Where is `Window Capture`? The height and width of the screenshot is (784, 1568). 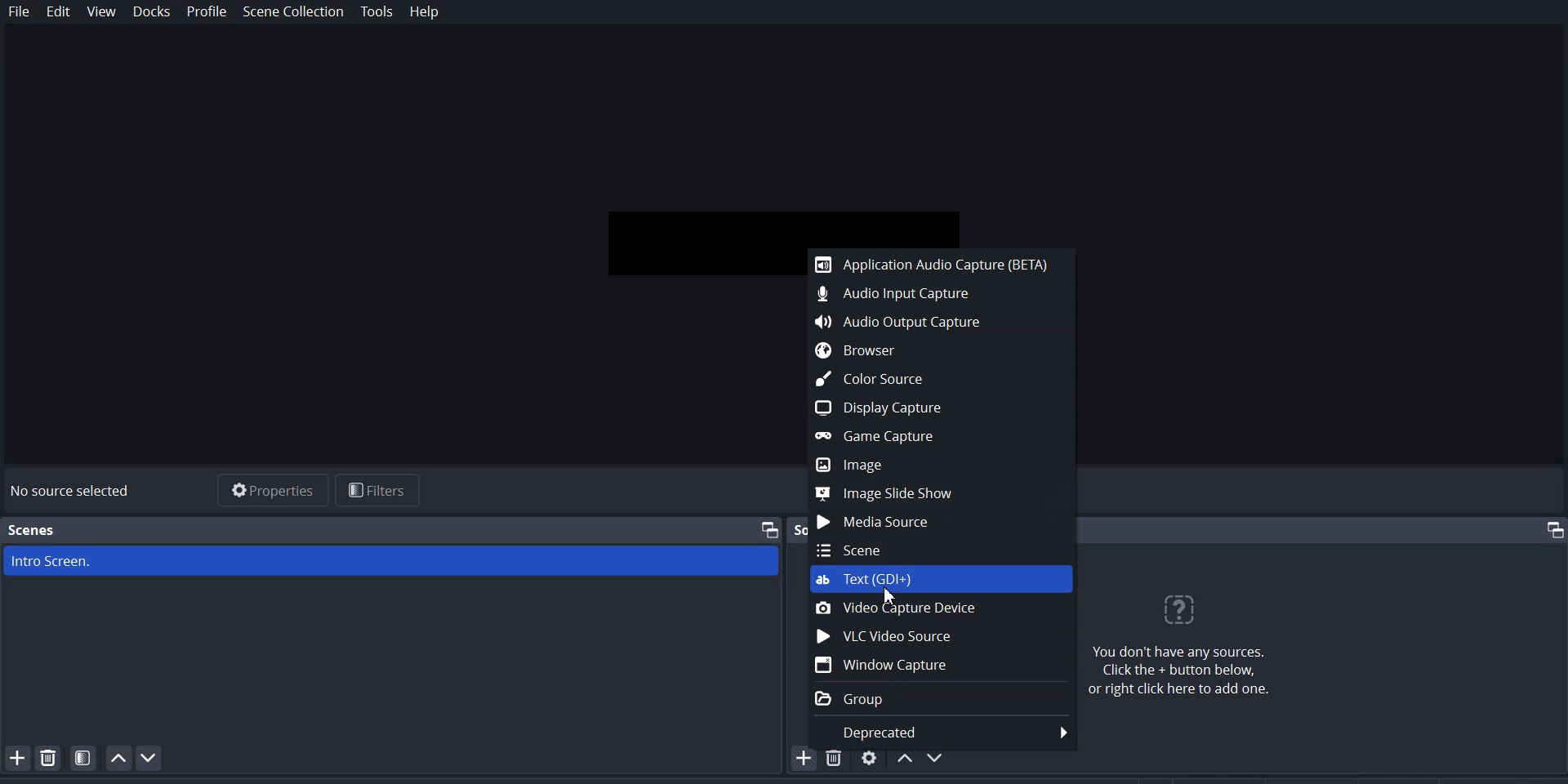
Window Capture is located at coordinates (941, 665).